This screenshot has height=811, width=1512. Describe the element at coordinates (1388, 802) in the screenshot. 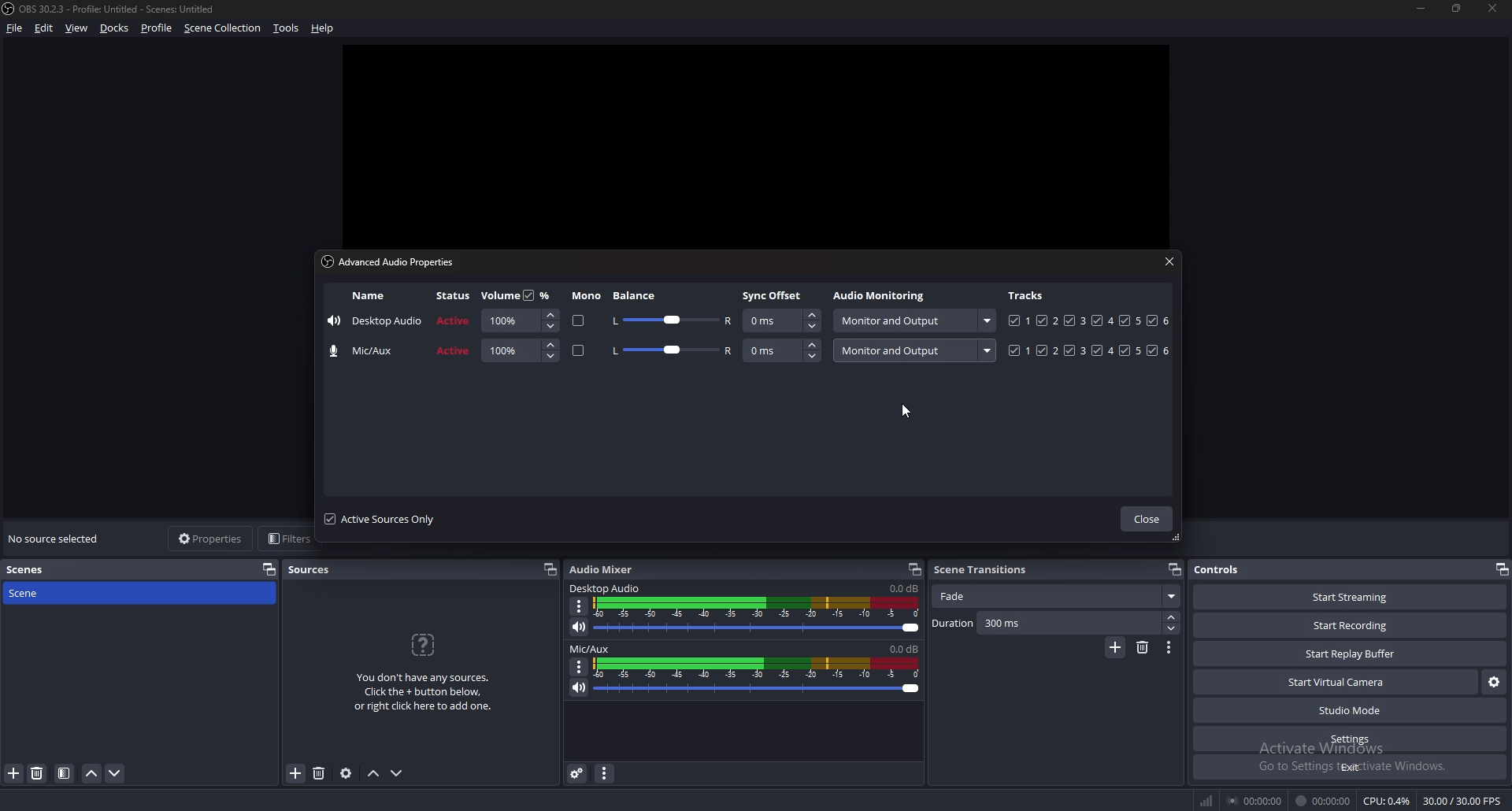

I see `CPU: 0.3%` at that location.